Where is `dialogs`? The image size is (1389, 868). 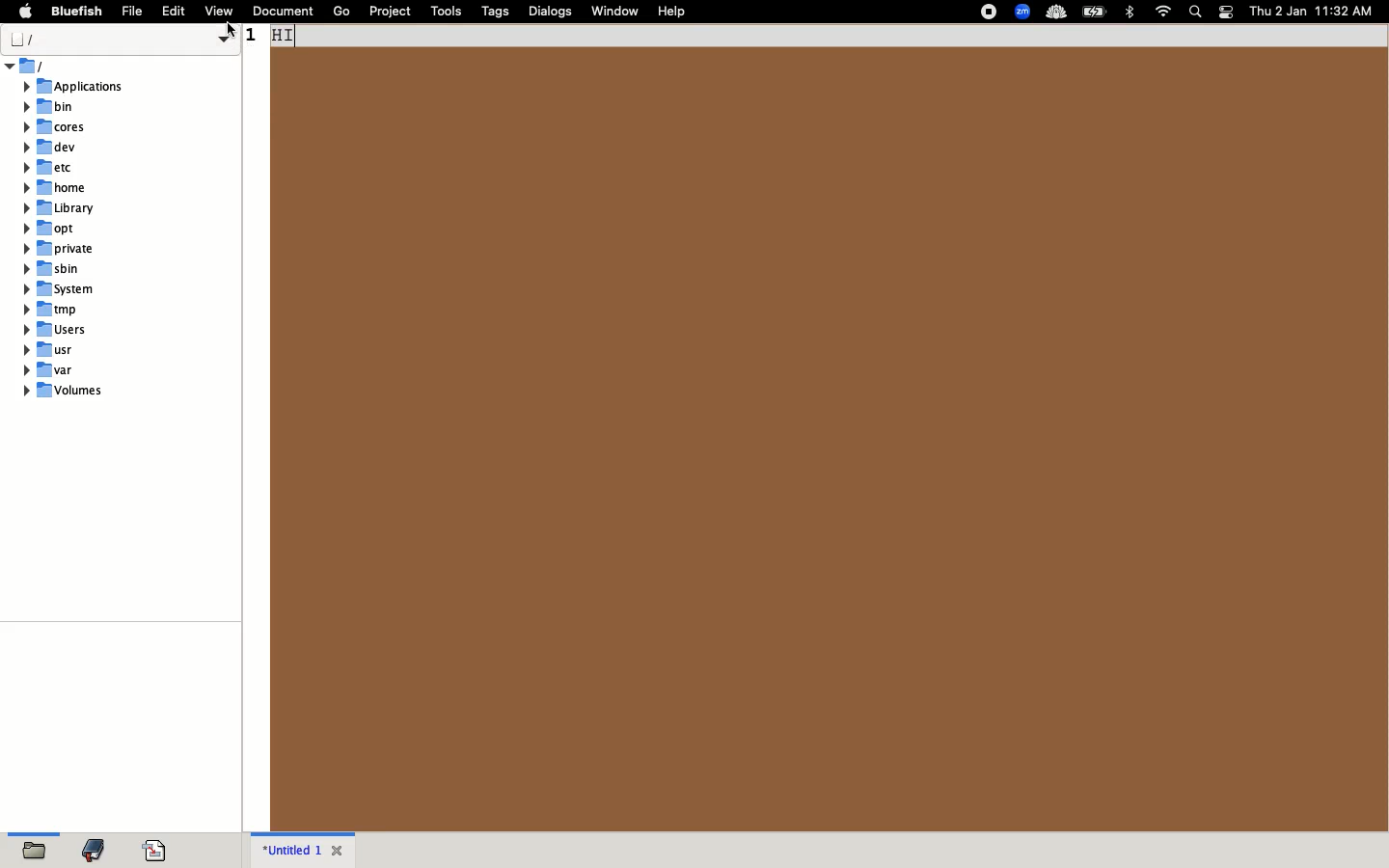
dialogs is located at coordinates (551, 14).